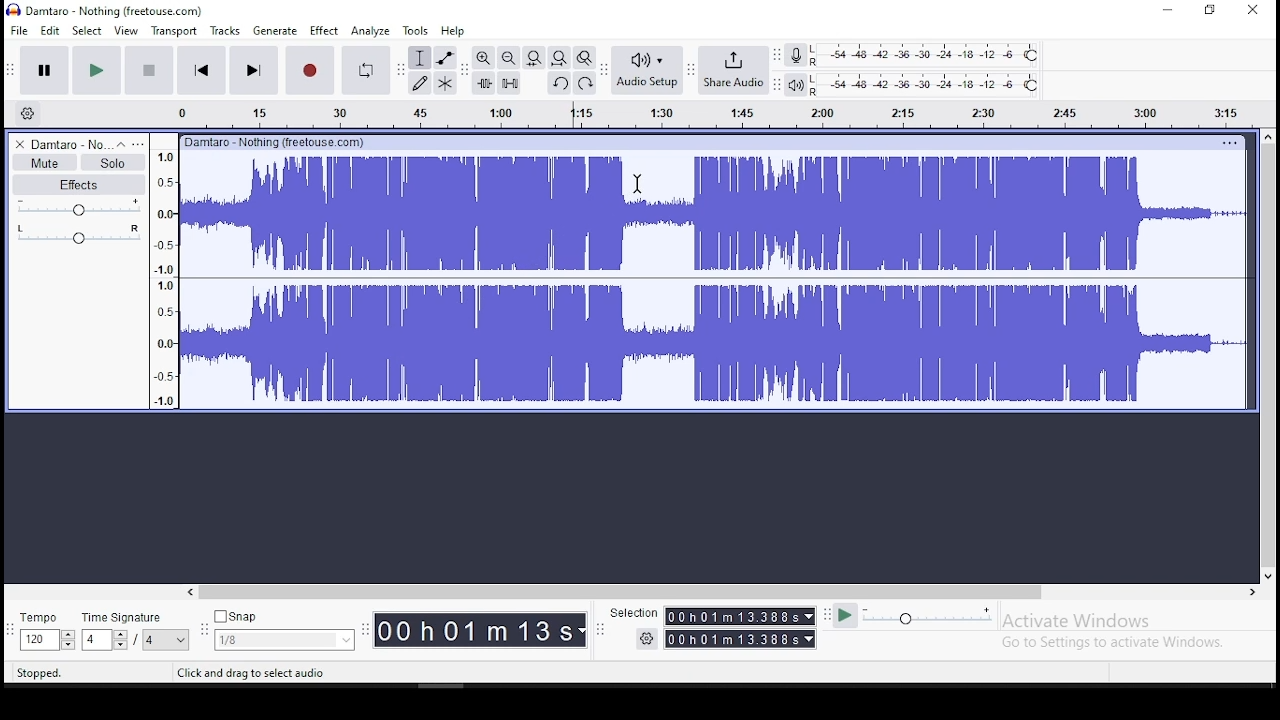  I want to click on play at speed, so click(846, 617).